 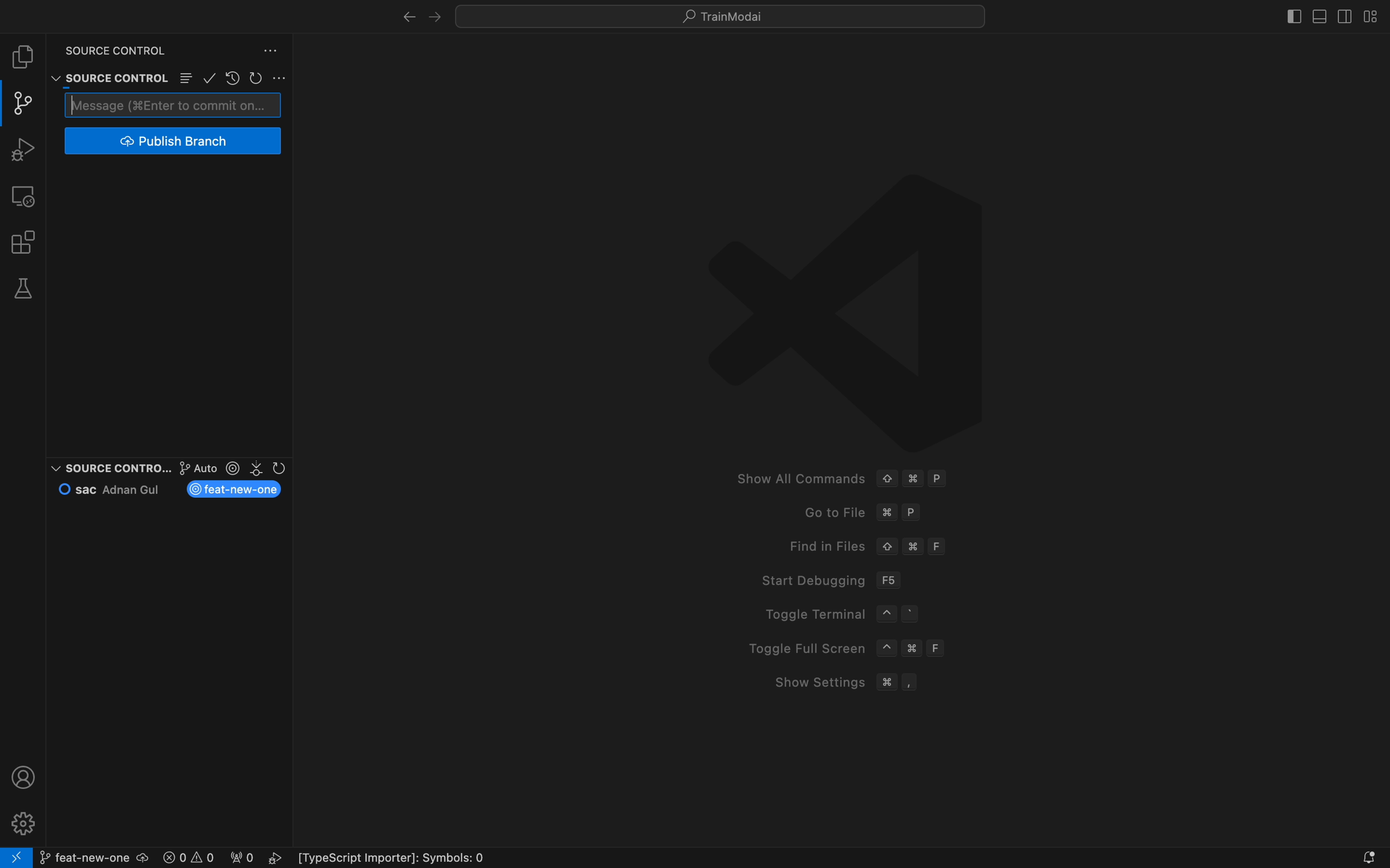 What do you see at coordinates (1368, 857) in the screenshot?
I see `Notifications ` at bounding box center [1368, 857].